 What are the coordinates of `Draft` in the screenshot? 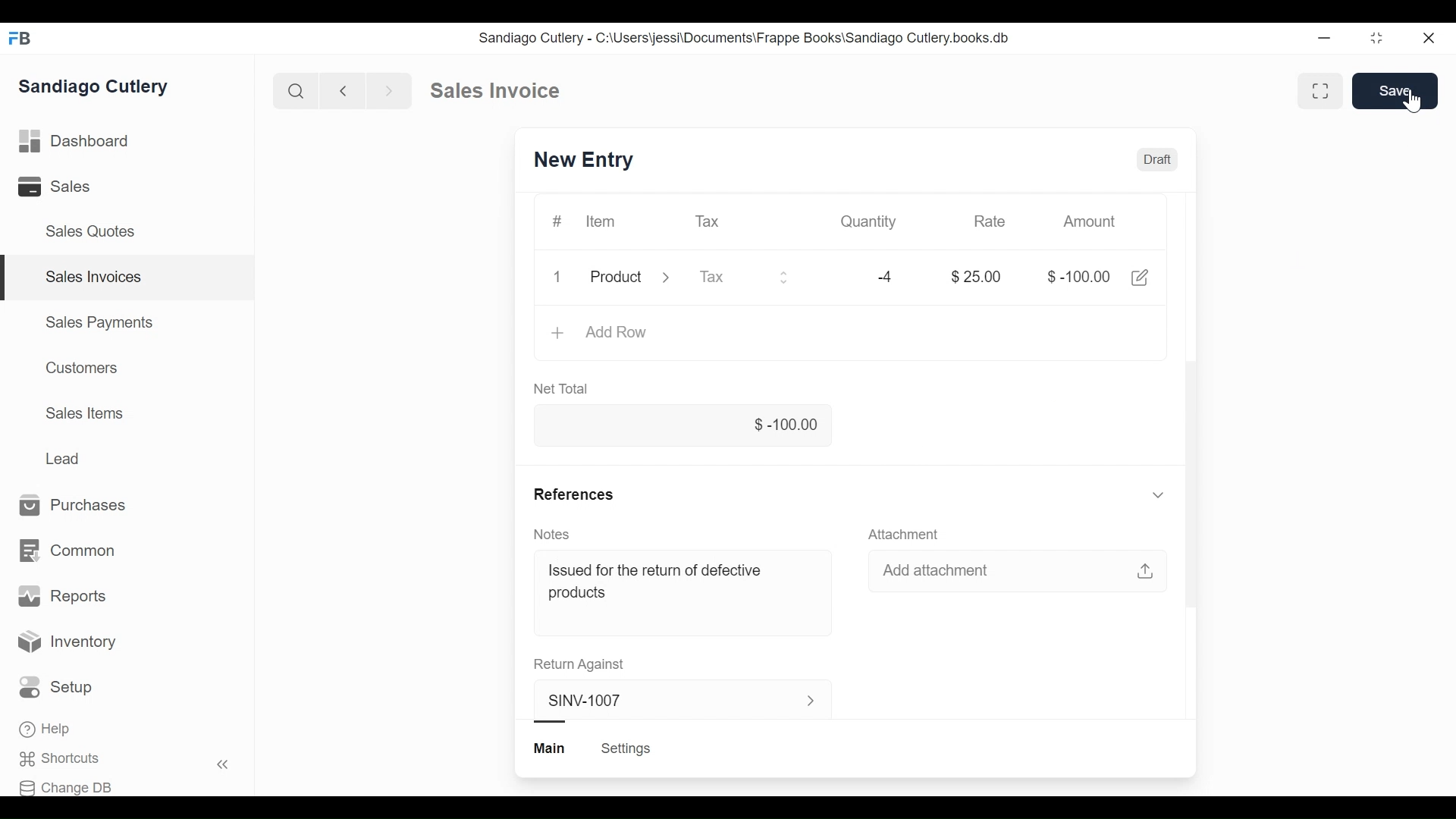 It's located at (1157, 159).